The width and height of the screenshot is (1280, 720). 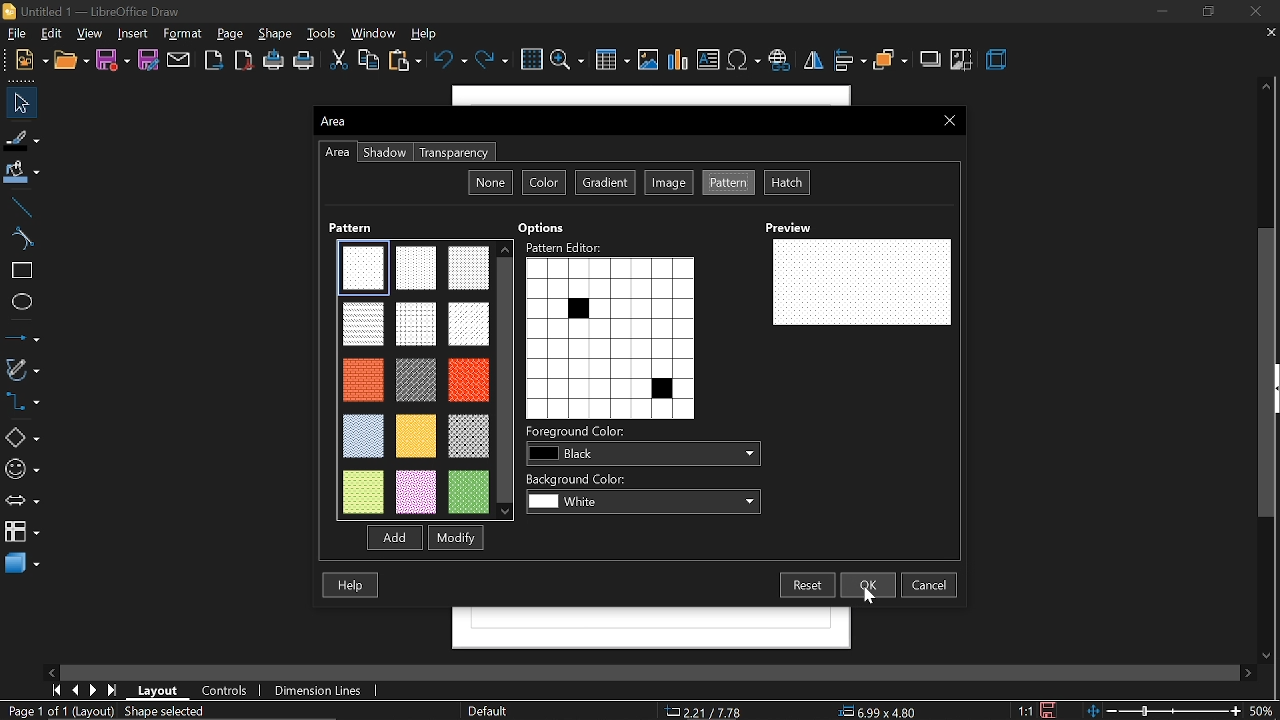 What do you see at coordinates (883, 710) in the screenshot?
I see `position` at bounding box center [883, 710].